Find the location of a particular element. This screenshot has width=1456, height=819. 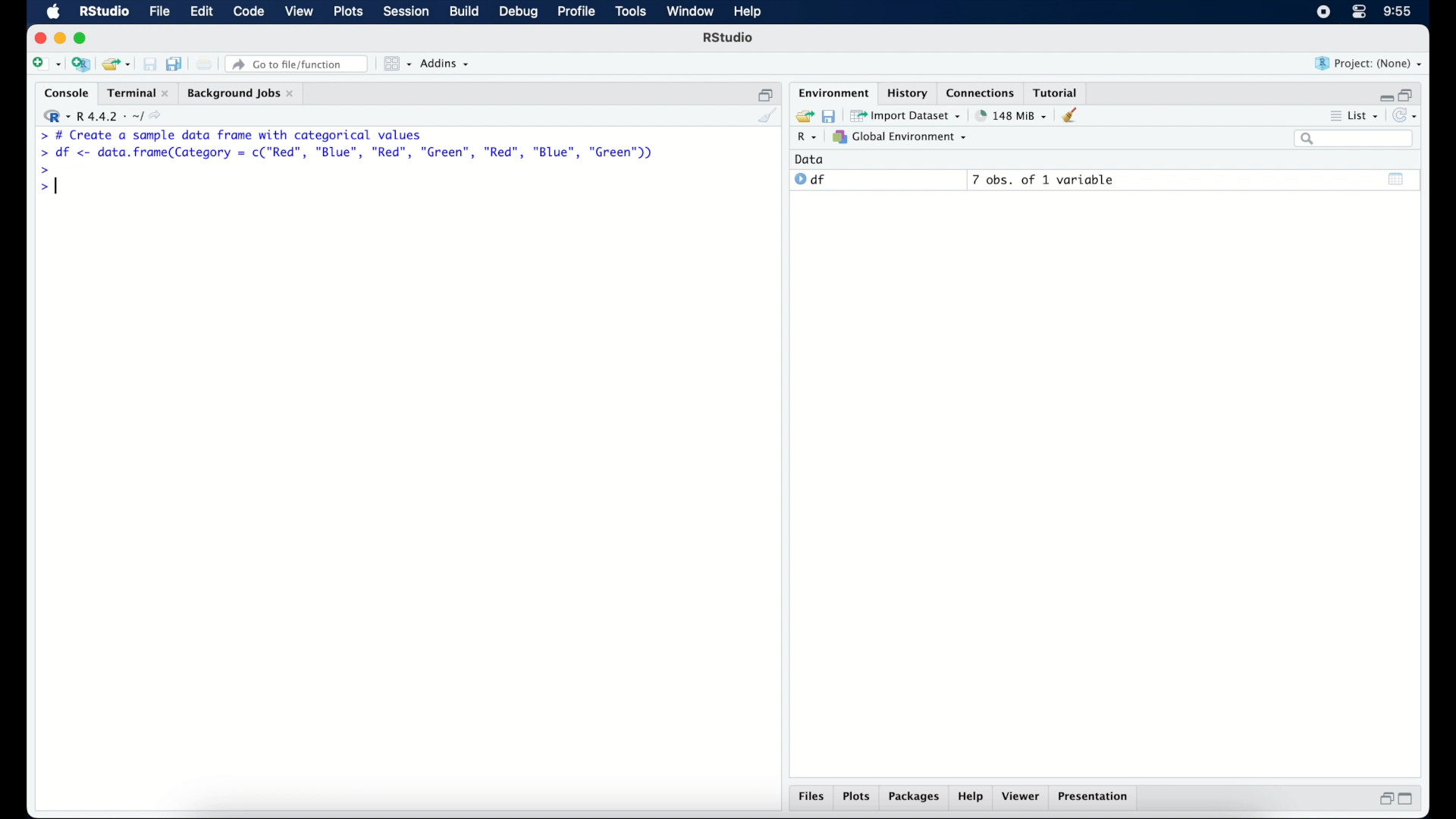

R studio is located at coordinates (104, 12).